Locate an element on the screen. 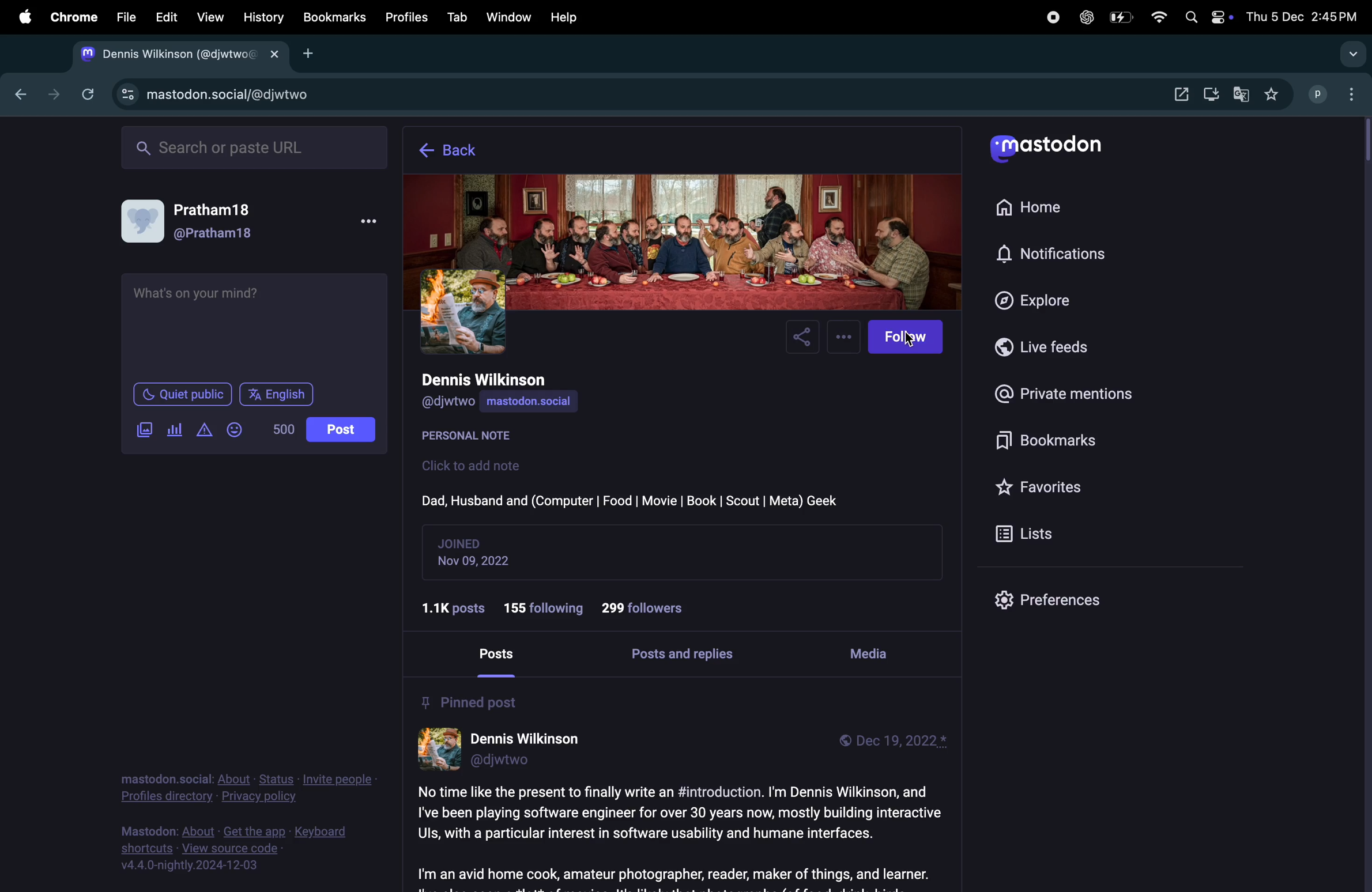 The width and height of the screenshot is (1372, 892). 500 is located at coordinates (282, 429).